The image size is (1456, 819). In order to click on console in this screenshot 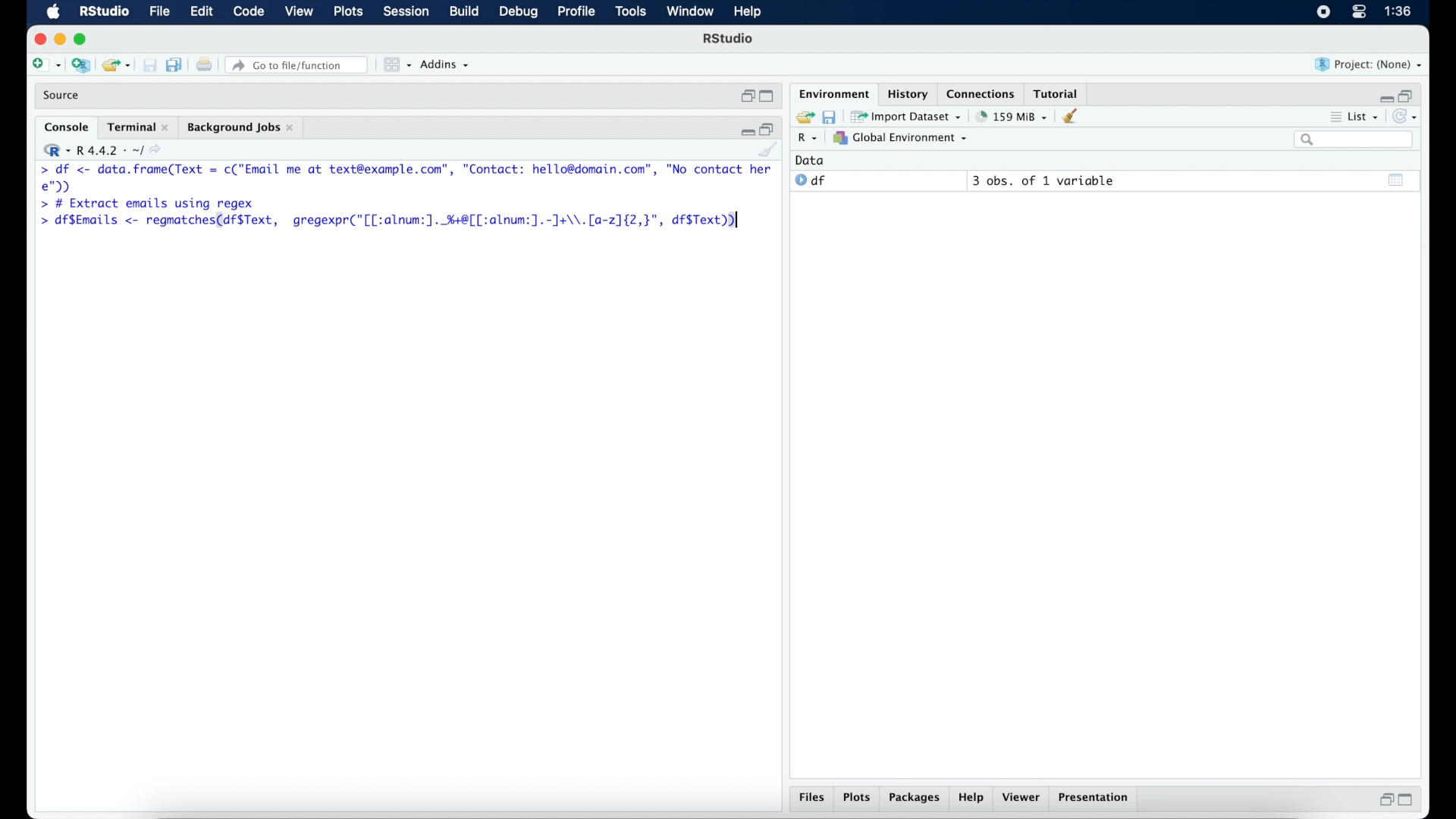, I will do `click(64, 126)`.